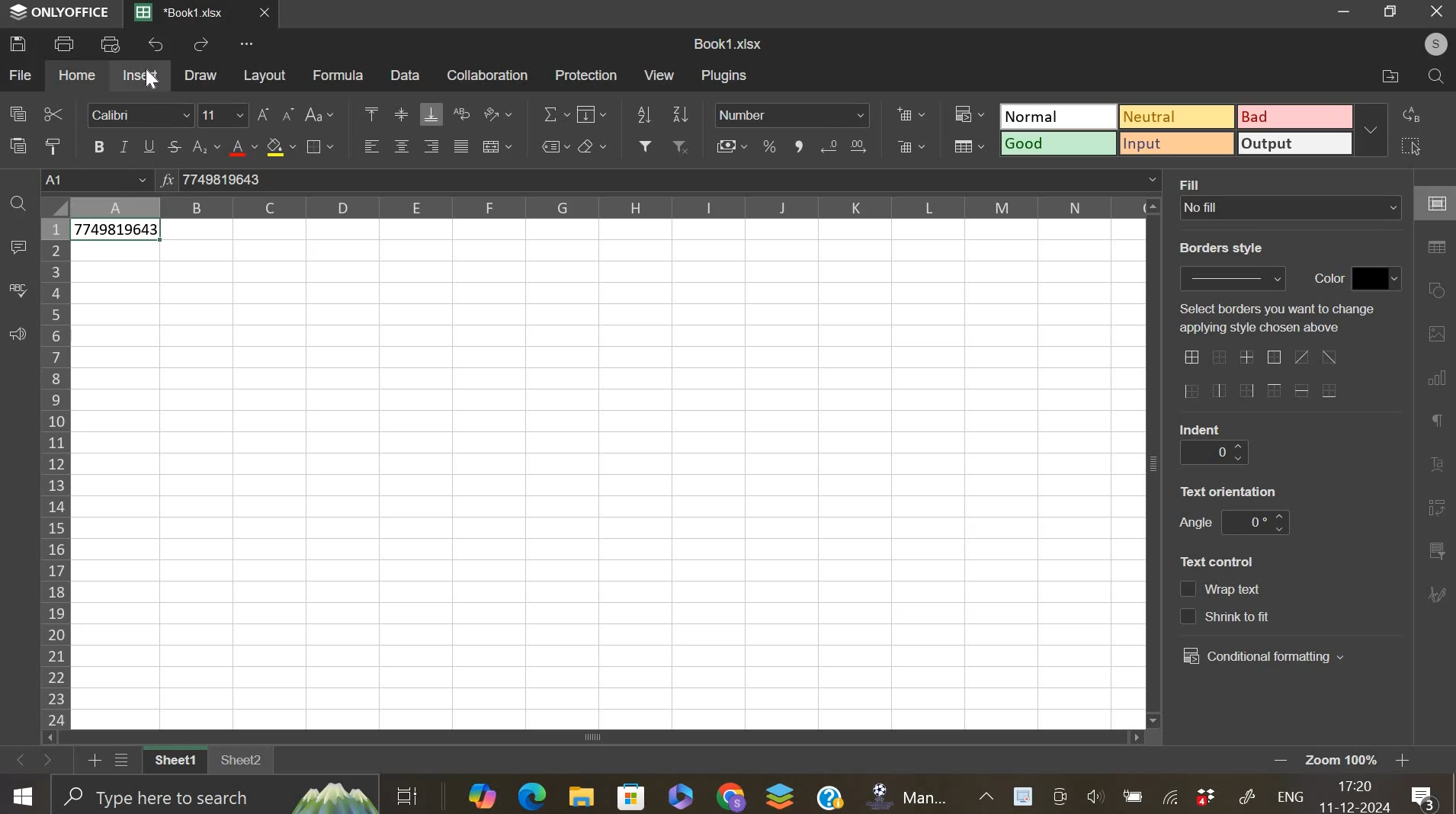 The height and width of the screenshot is (814, 1456). Describe the element at coordinates (660, 75) in the screenshot. I see `view` at that location.